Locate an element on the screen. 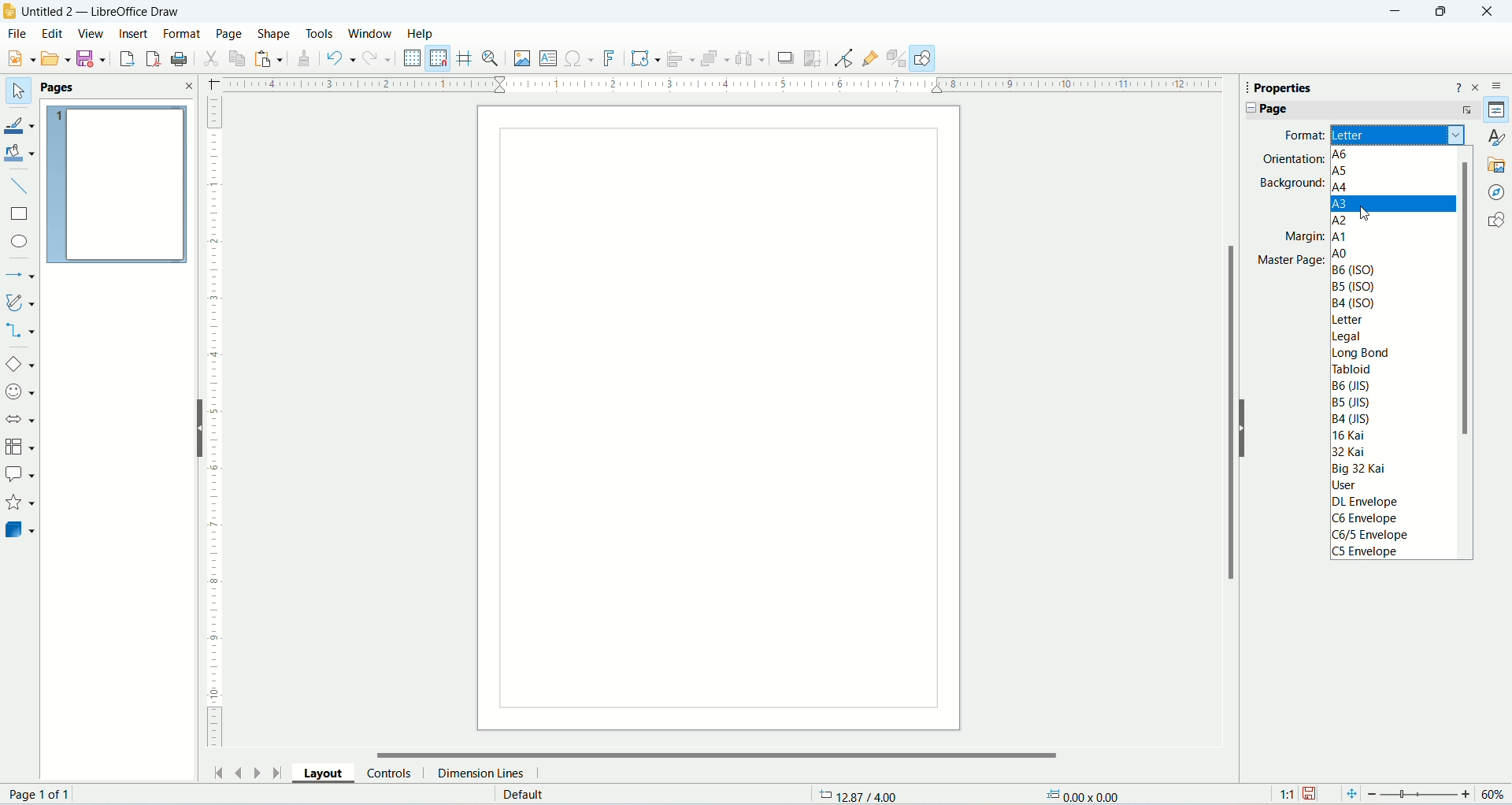  navigator is located at coordinates (1497, 192).